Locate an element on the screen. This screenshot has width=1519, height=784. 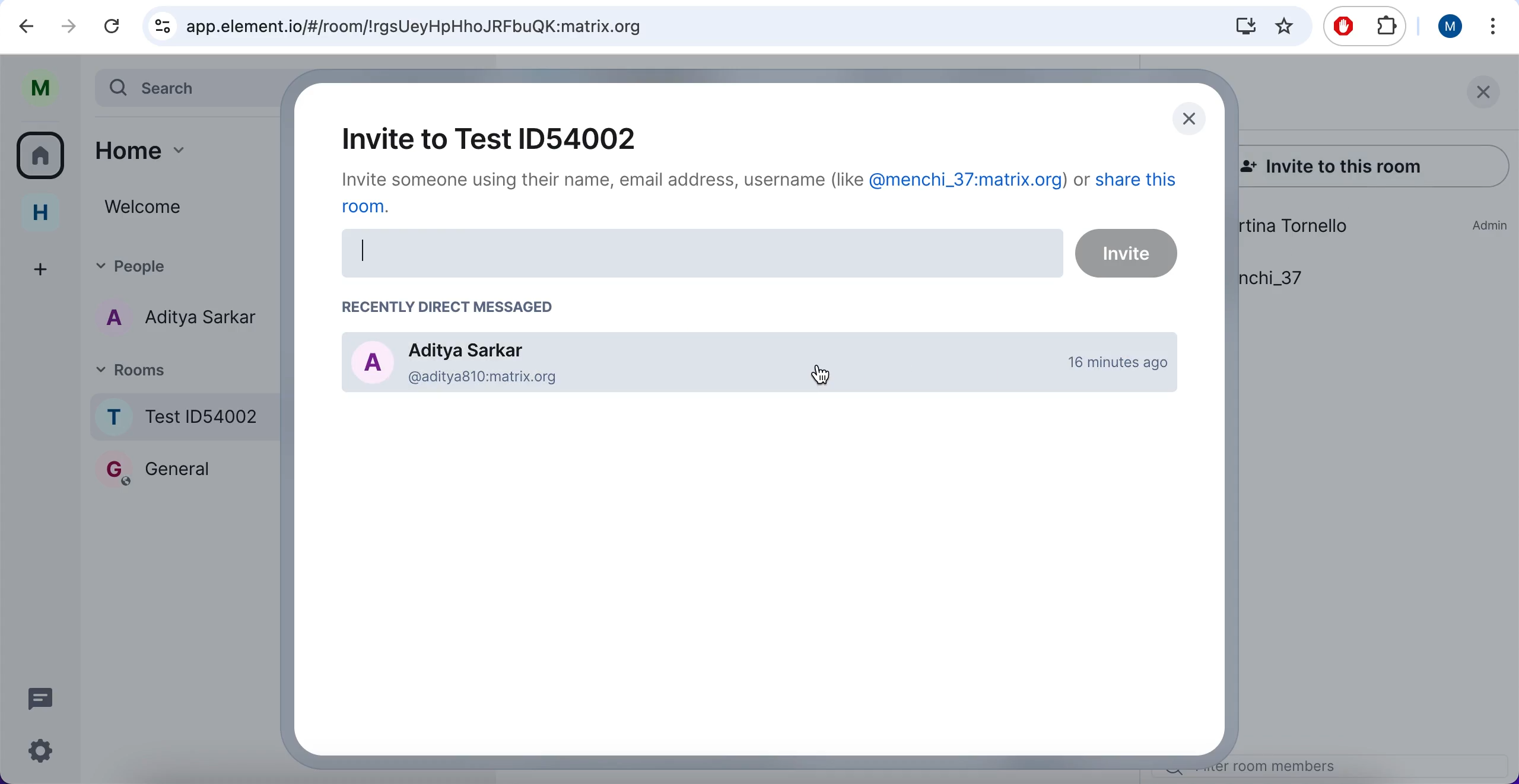
rooms is located at coordinates (45, 157).